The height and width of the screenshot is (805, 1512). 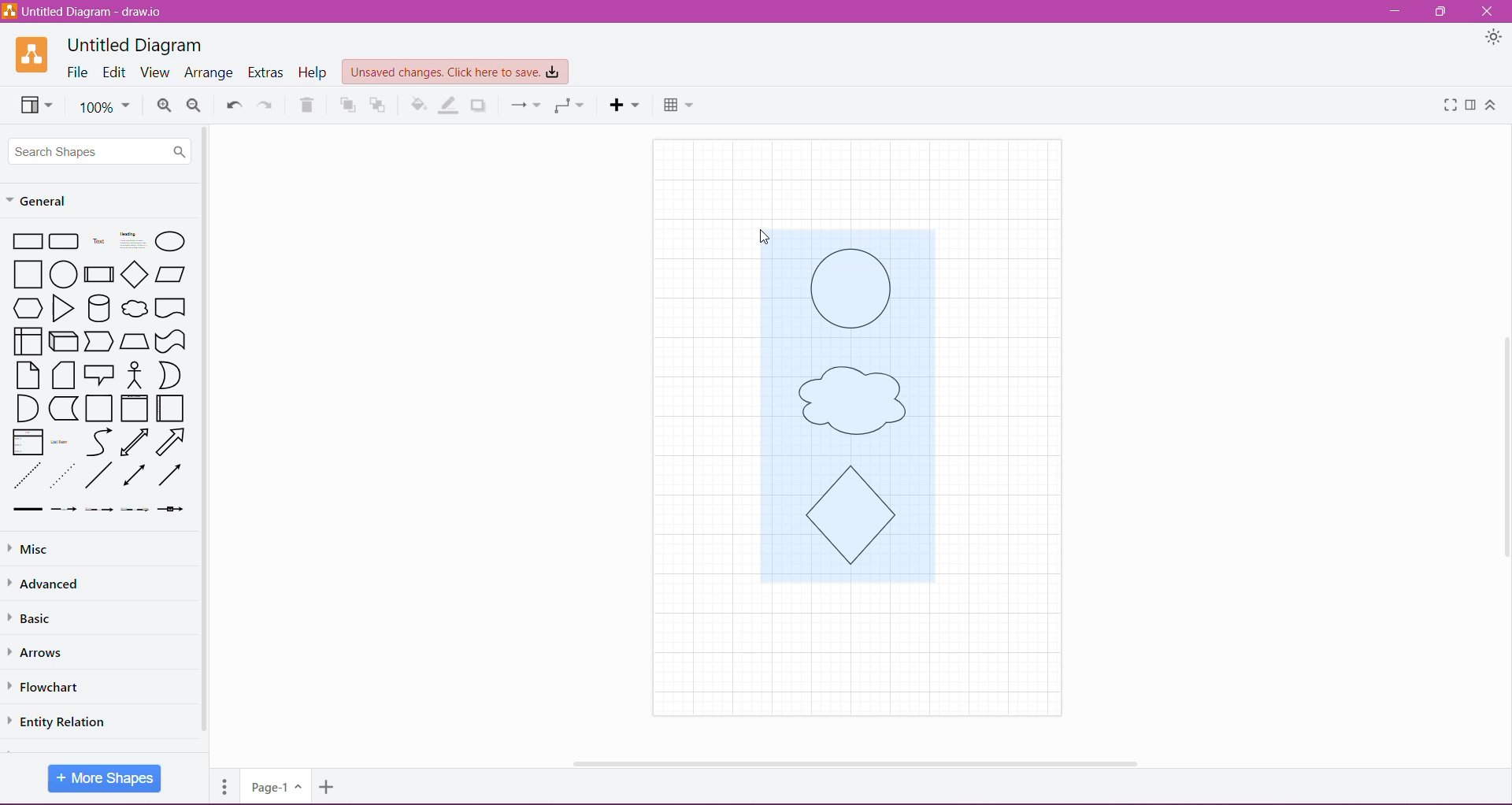 I want to click on Close, so click(x=1487, y=12).